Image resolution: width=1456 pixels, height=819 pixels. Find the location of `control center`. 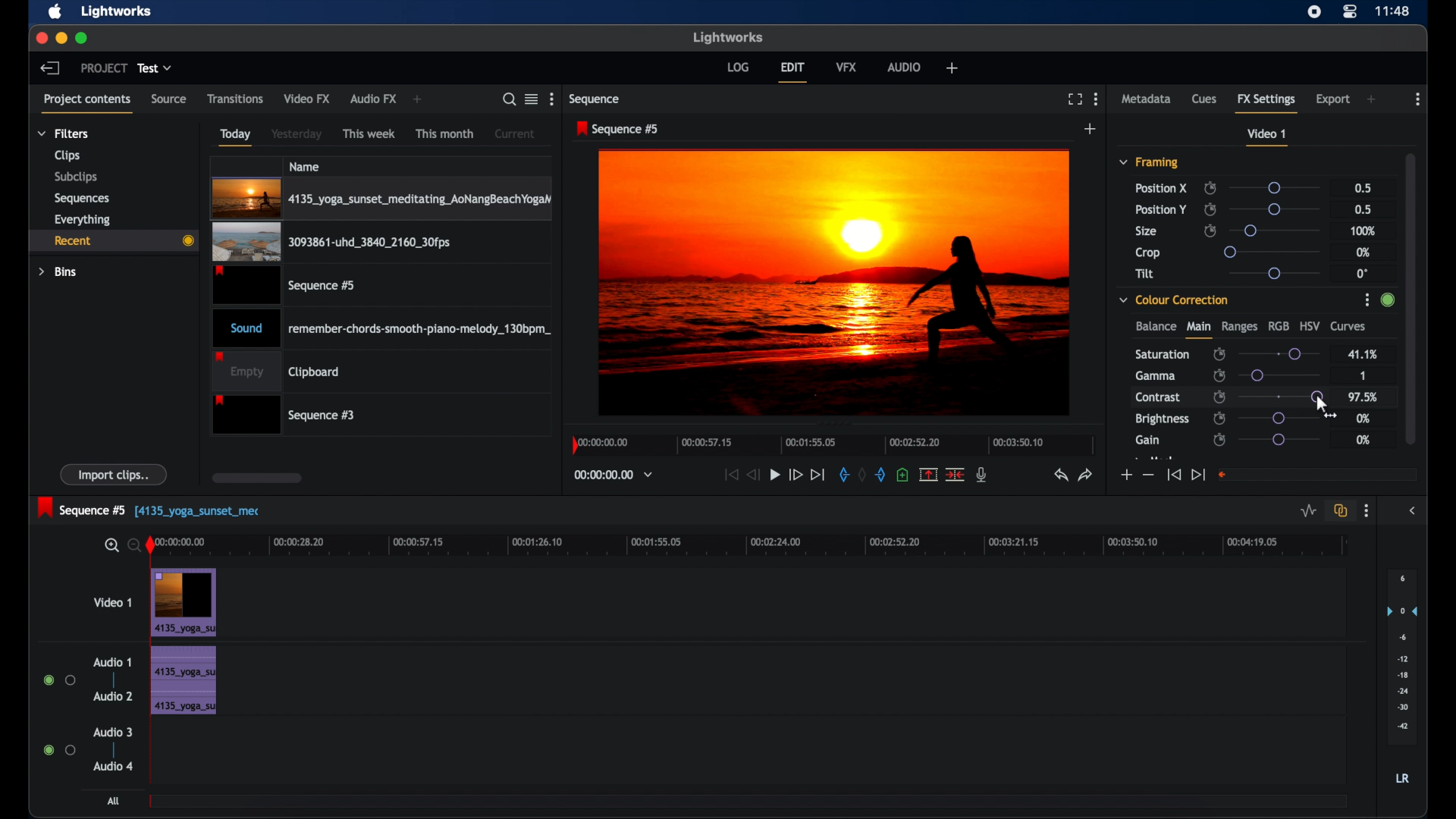

control center is located at coordinates (1351, 11).